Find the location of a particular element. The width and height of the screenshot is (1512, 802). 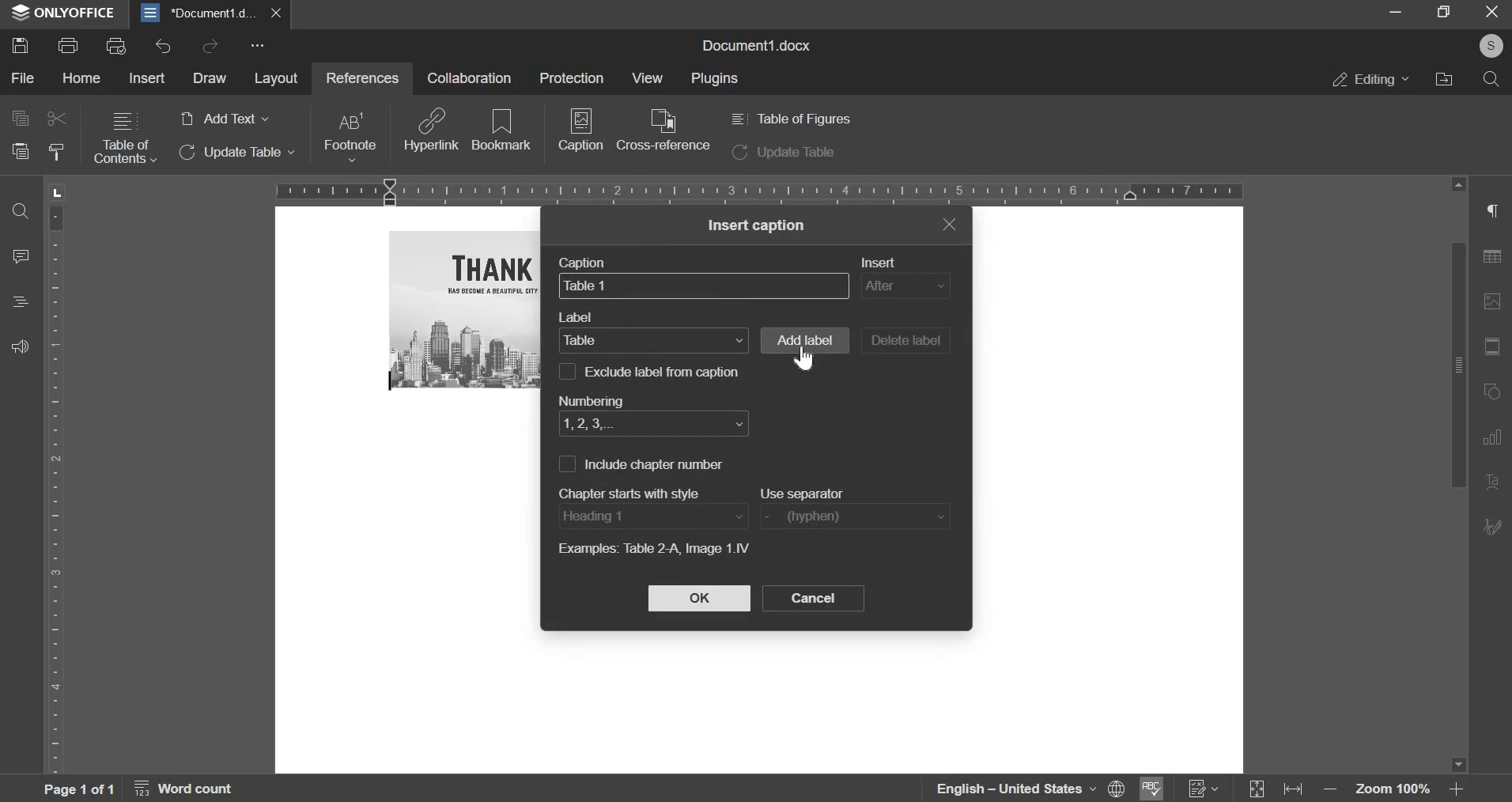

image is located at coordinates (467, 309).